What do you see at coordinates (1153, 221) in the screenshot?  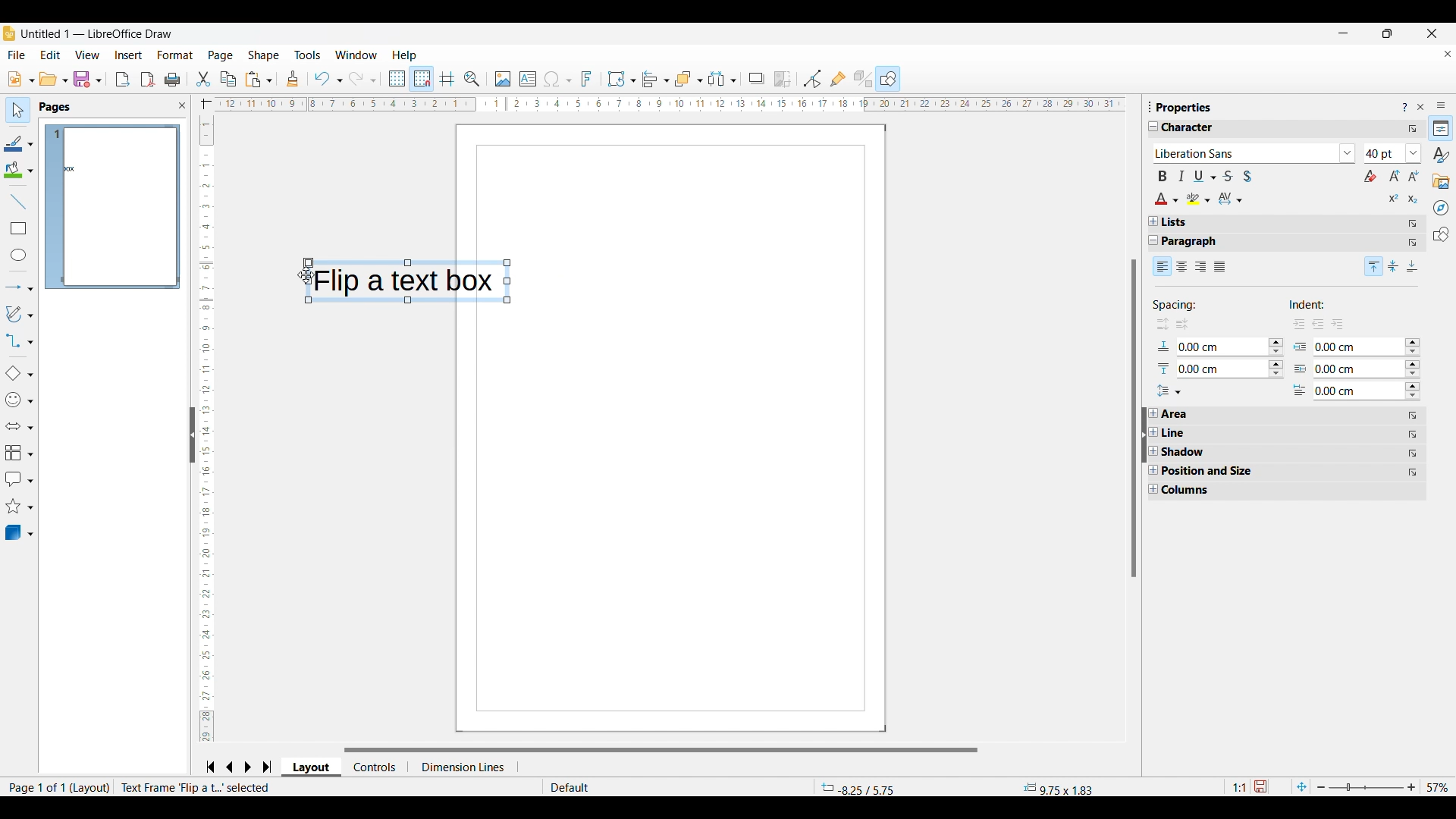 I see `Expand` at bounding box center [1153, 221].